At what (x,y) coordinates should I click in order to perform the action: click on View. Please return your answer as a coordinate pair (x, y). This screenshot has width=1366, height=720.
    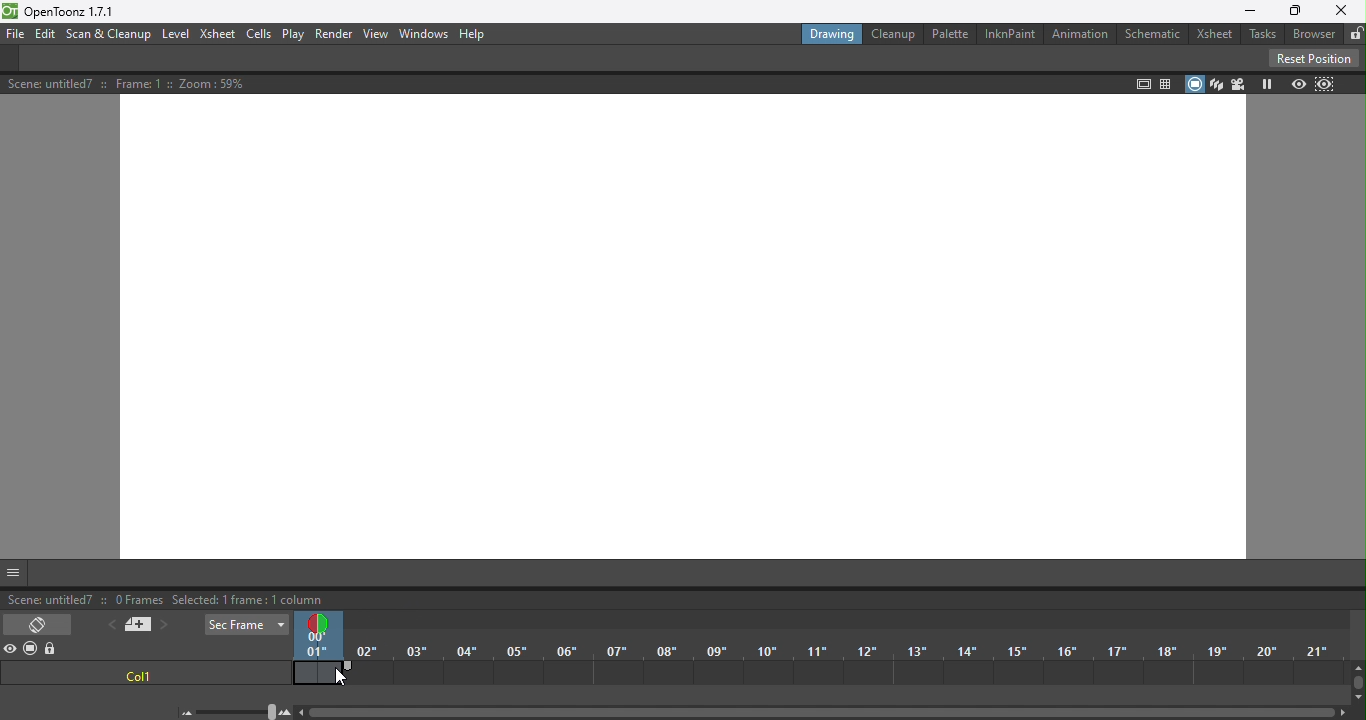
    Looking at the image, I should click on (377, 35).